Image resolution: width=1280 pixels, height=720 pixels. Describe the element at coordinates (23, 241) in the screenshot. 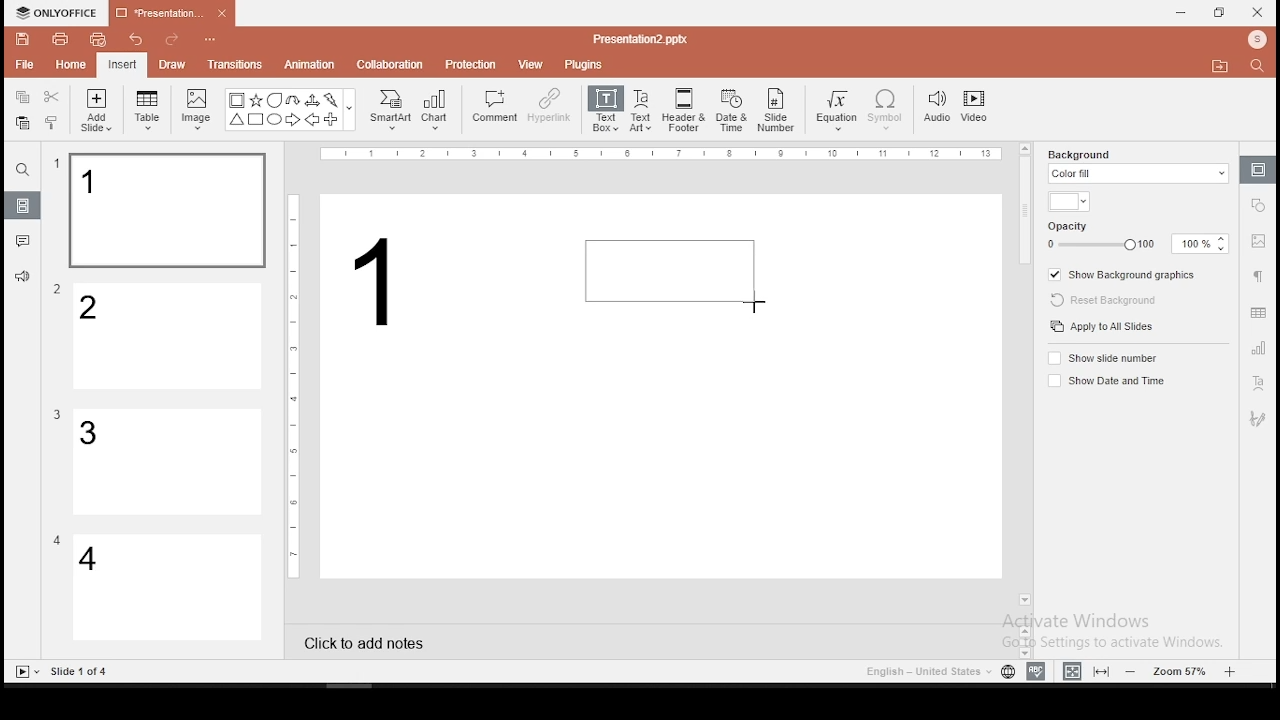

I see `comments` at that location.